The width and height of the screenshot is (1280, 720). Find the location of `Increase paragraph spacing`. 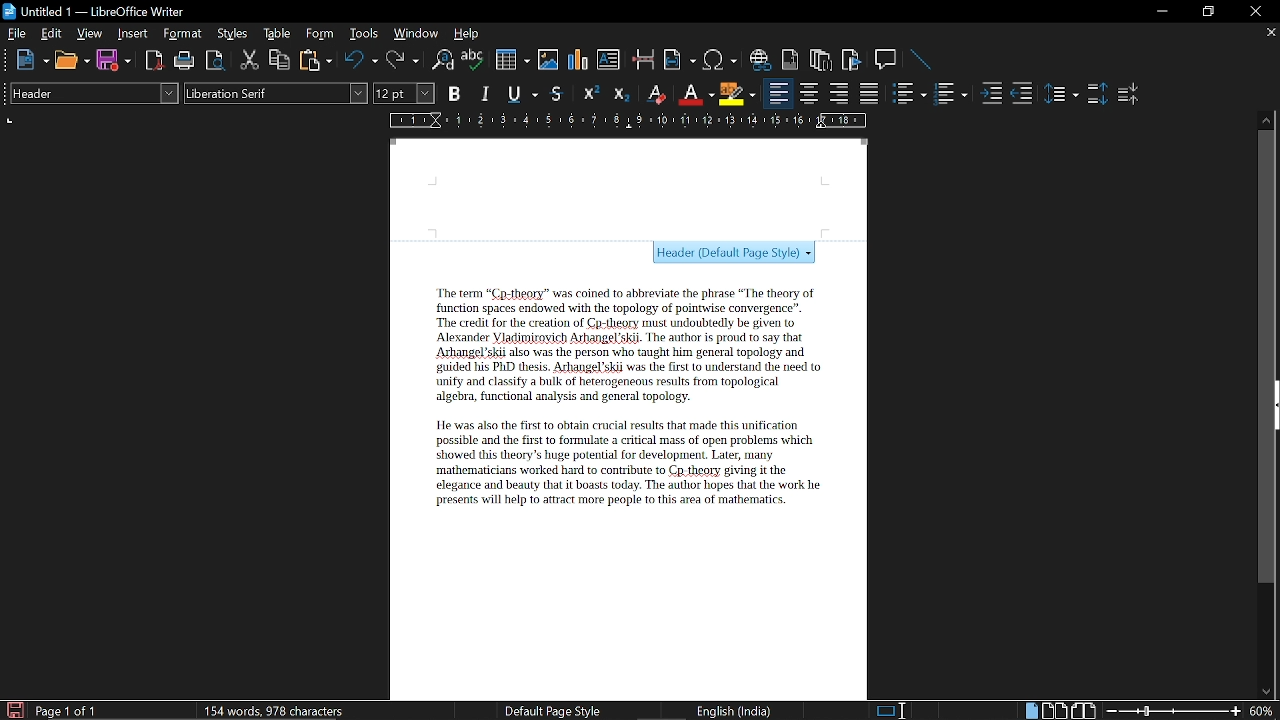

Increase paragraph spacing is located at coordinates (1097, 95).